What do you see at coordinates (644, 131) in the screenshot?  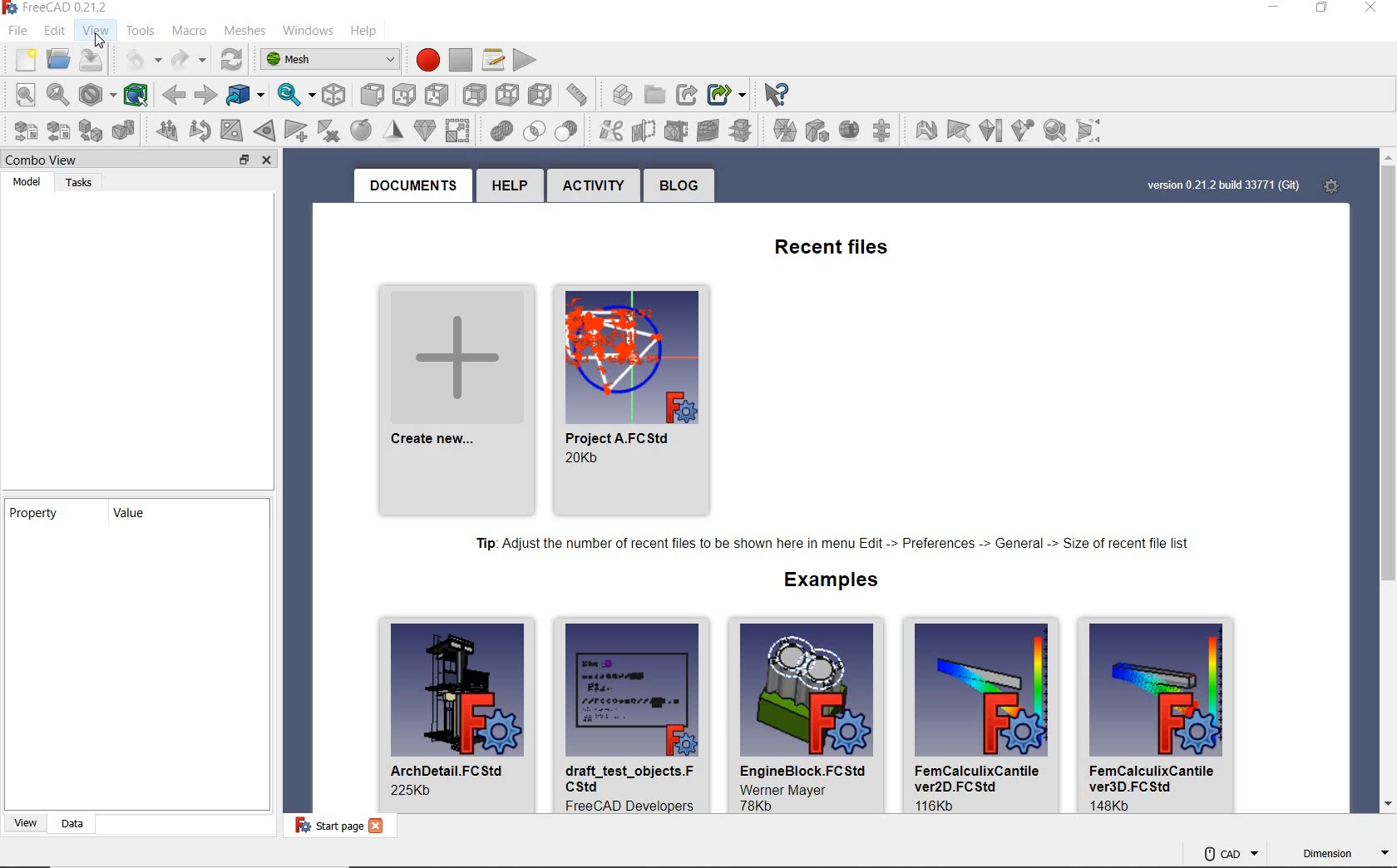 I see `trim mesh with a plane` at bounding box center [644, 131].